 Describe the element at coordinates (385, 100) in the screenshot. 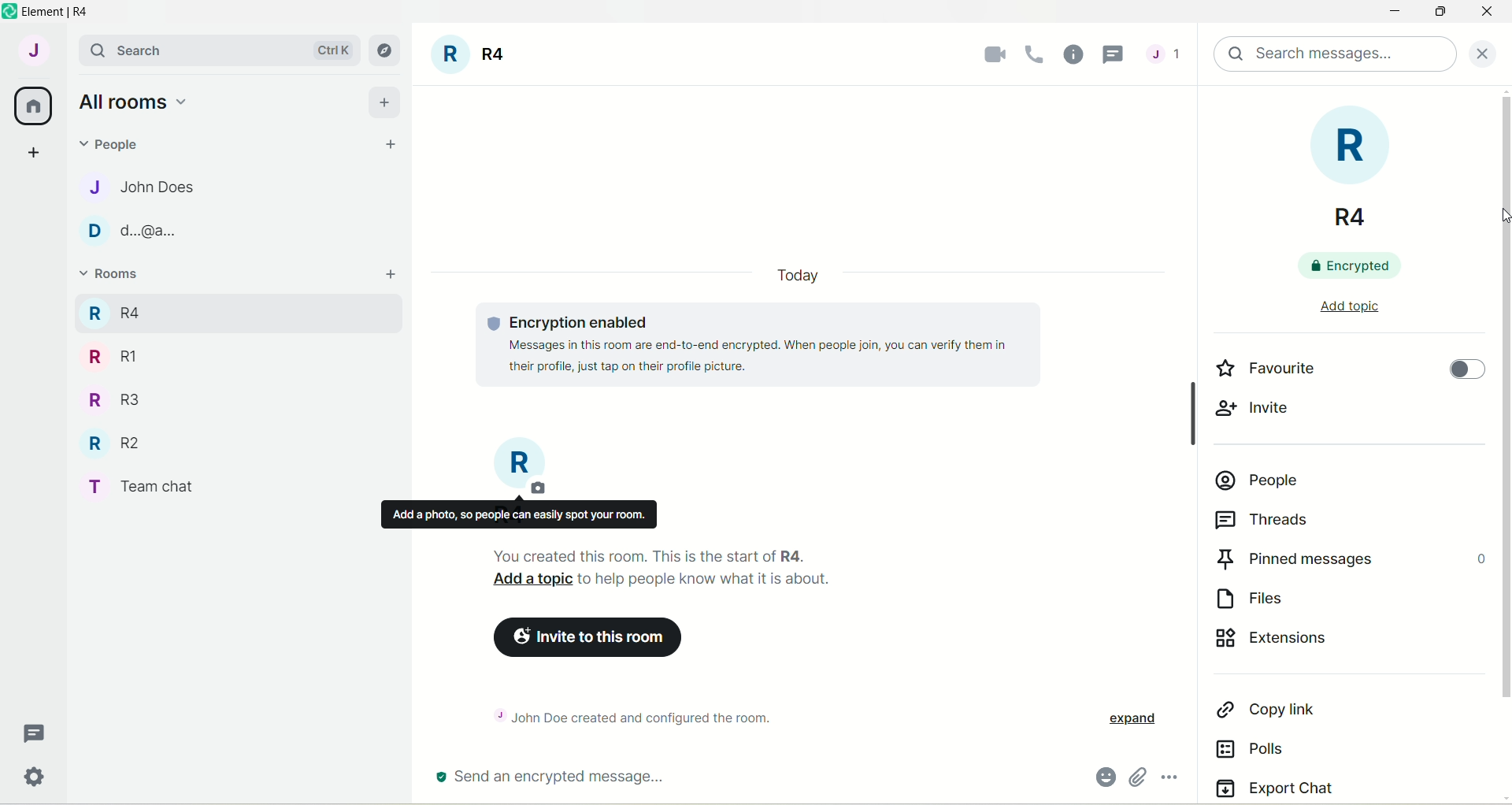

I see `add` at that location.